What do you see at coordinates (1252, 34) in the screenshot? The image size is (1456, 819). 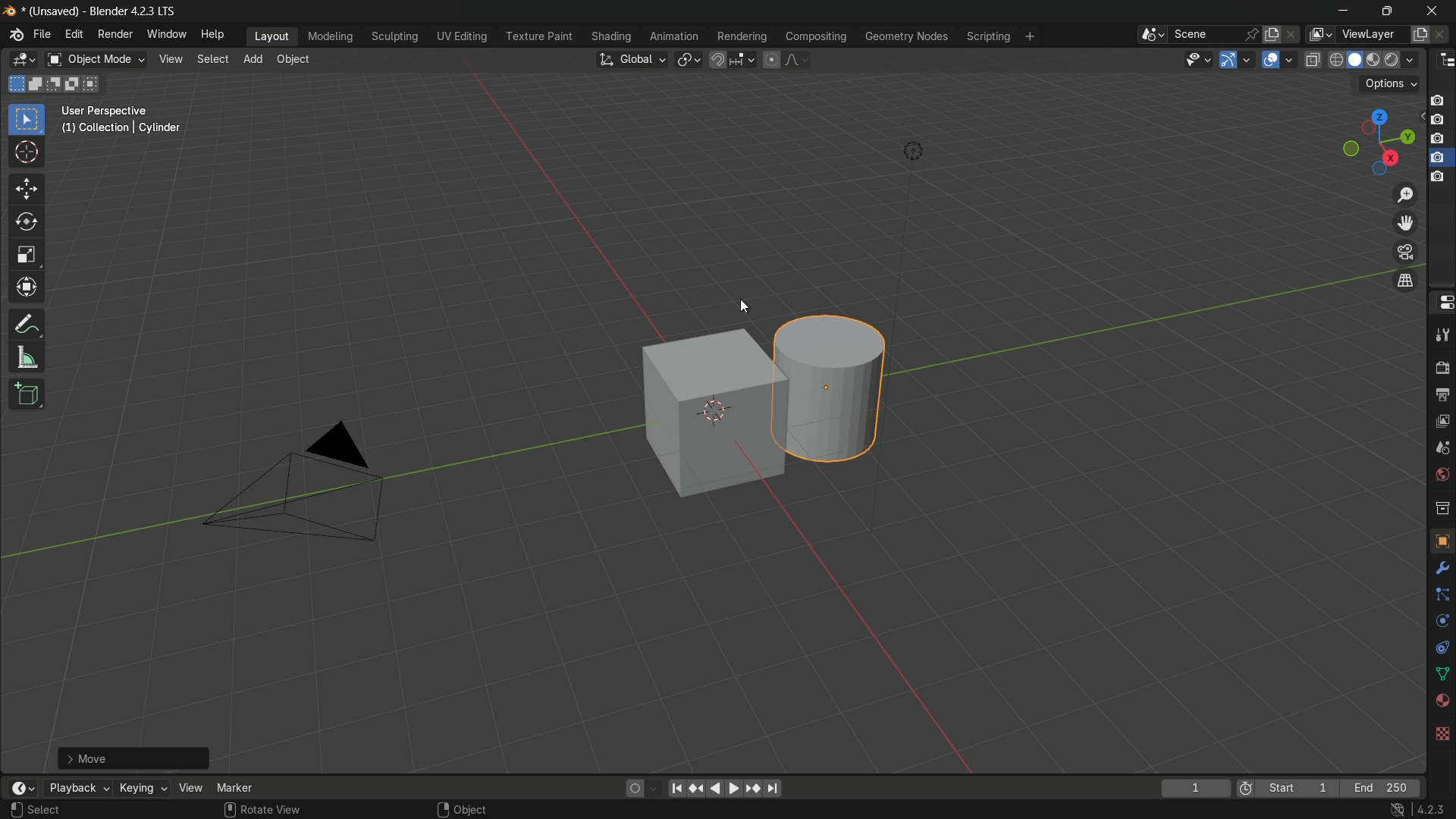 I see `pin scene to workspace` at bounding box center [1252, 34].